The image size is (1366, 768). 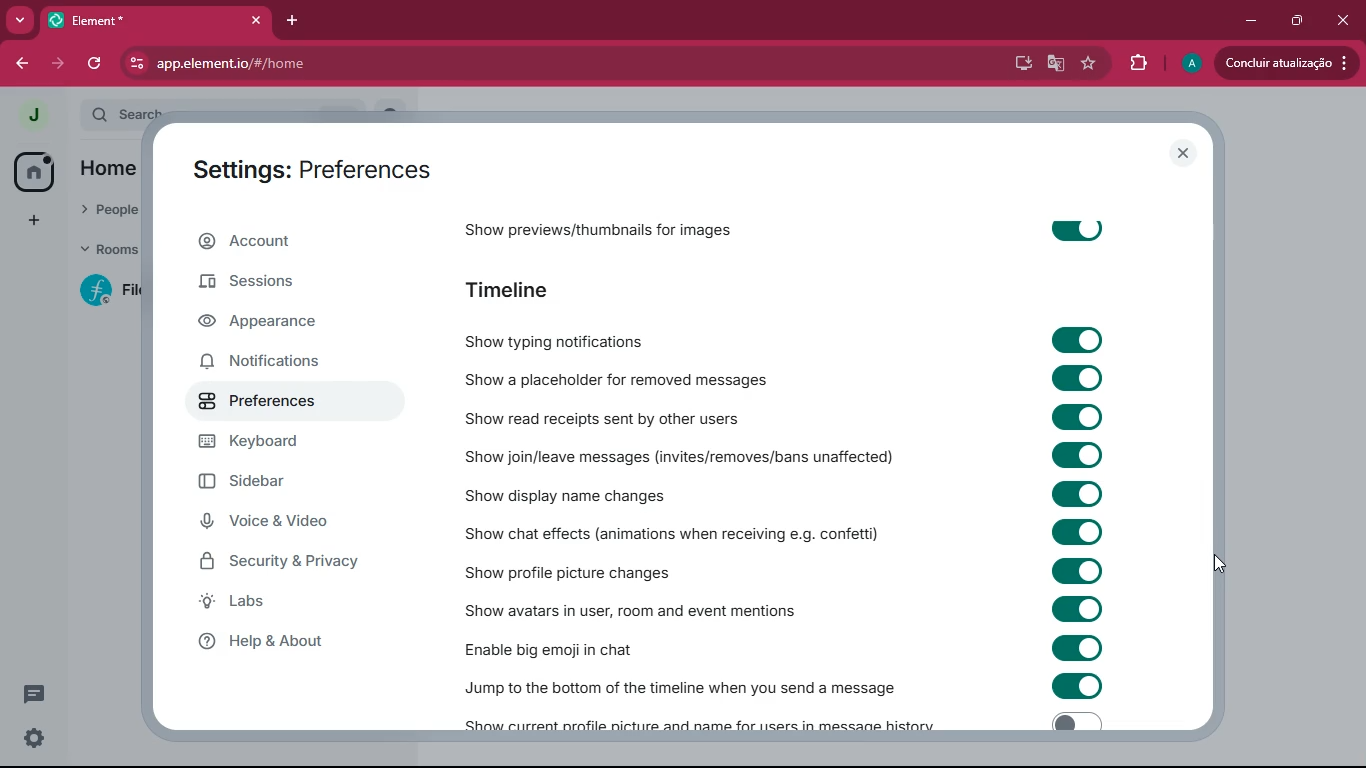 What do you see at coordinates (1079, 381) in the screenshot?
I see `toggle on ` at bounding box center [1079, 381].